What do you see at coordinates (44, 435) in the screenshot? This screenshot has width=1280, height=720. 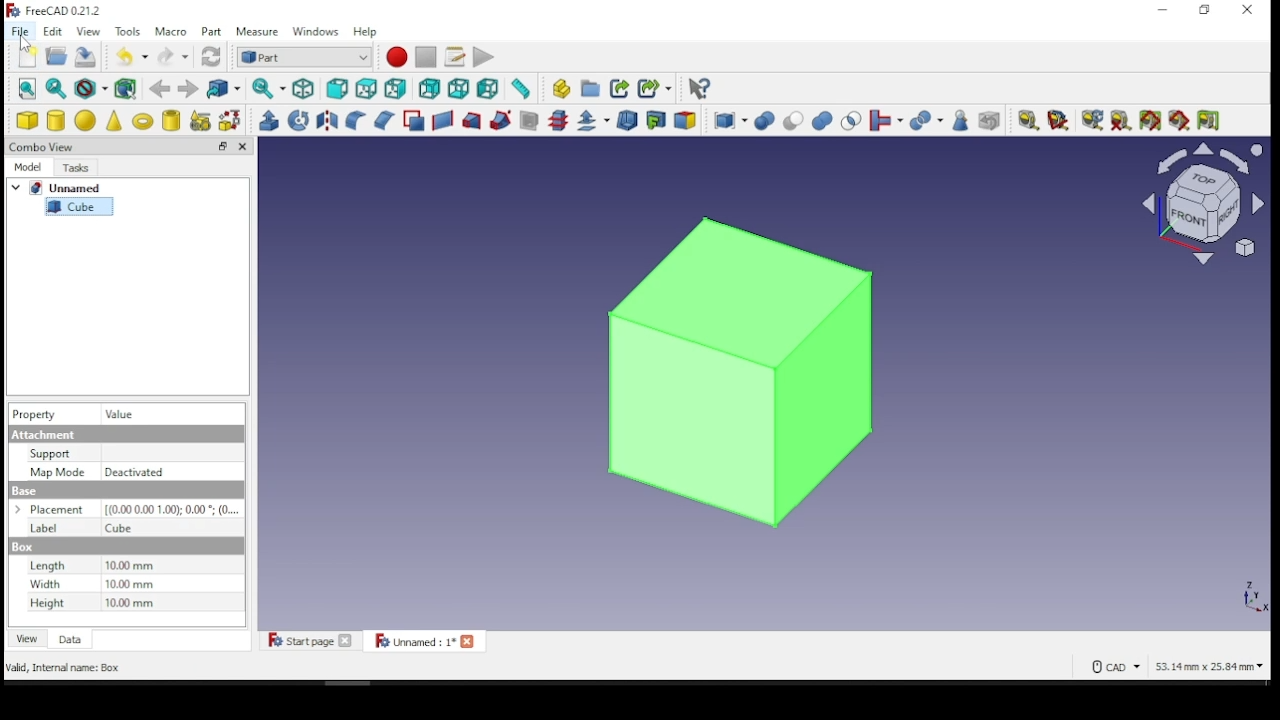 I see `Attachment` at bounding box center [44, 435].